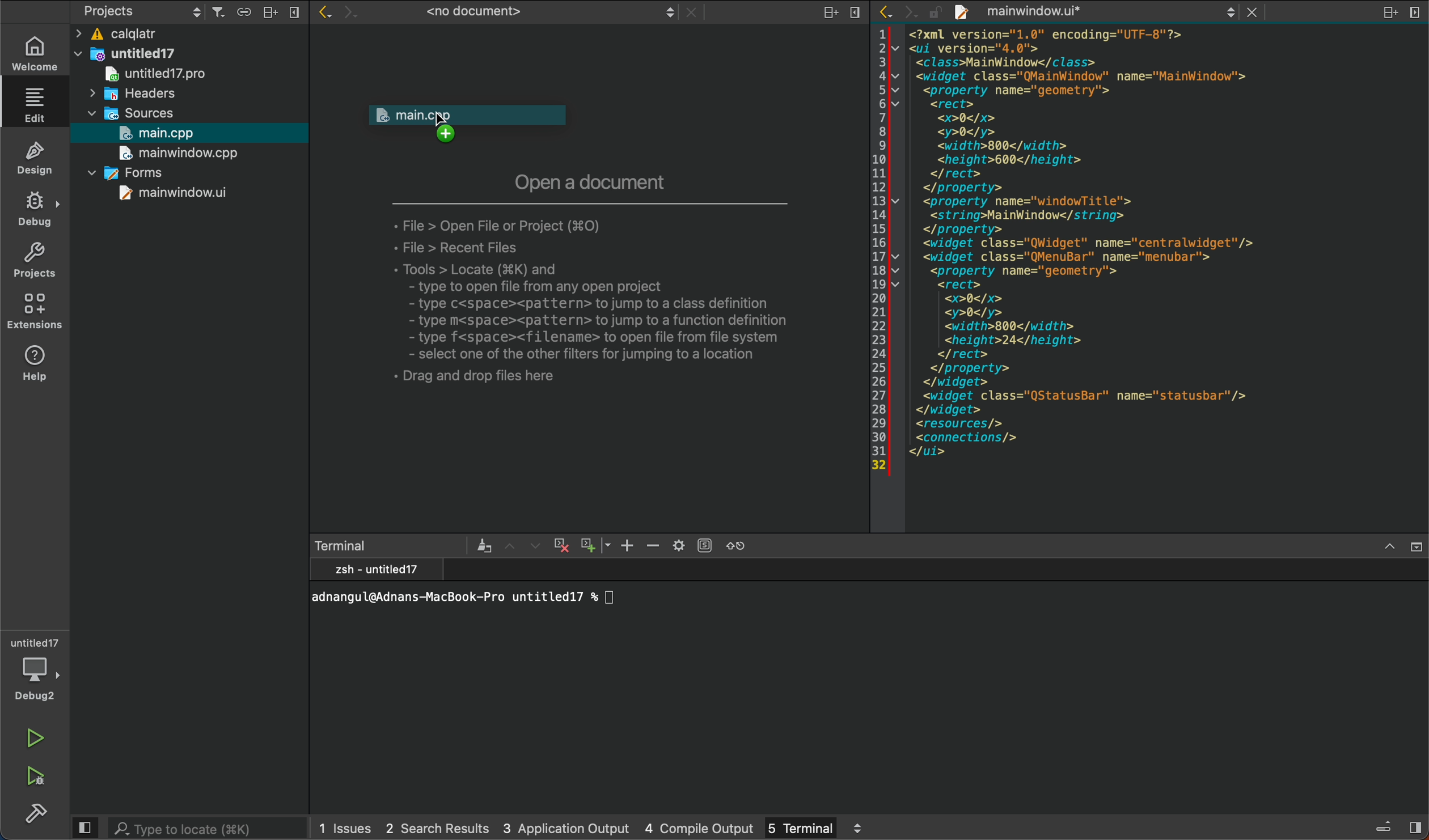  What do you see at coordinates (161, 35) in the screenshot?
I see `calqlatr` at bounding box center [161, 35].